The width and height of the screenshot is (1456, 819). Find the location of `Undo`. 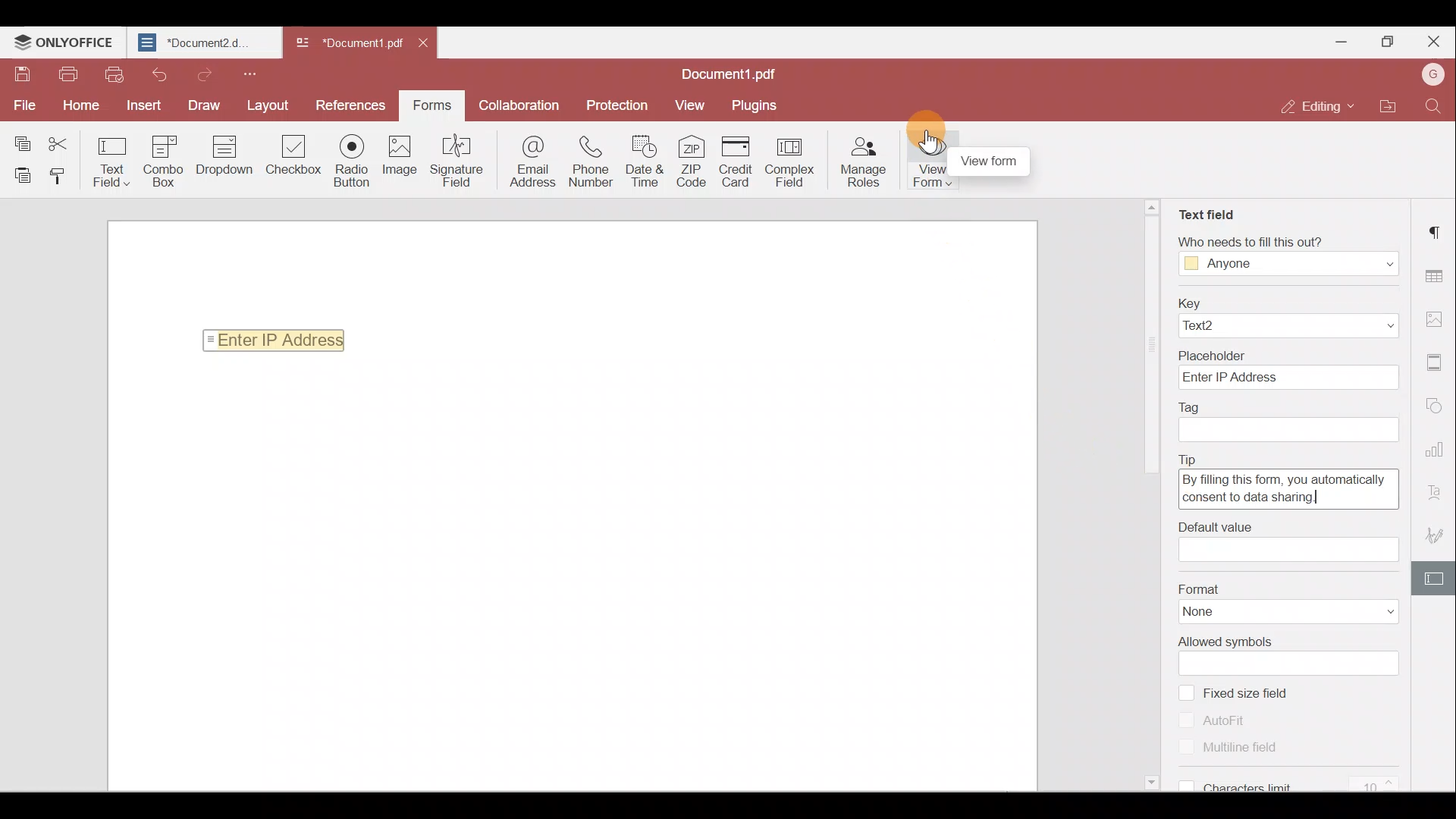

Undo is located at coordinates (156, 74).